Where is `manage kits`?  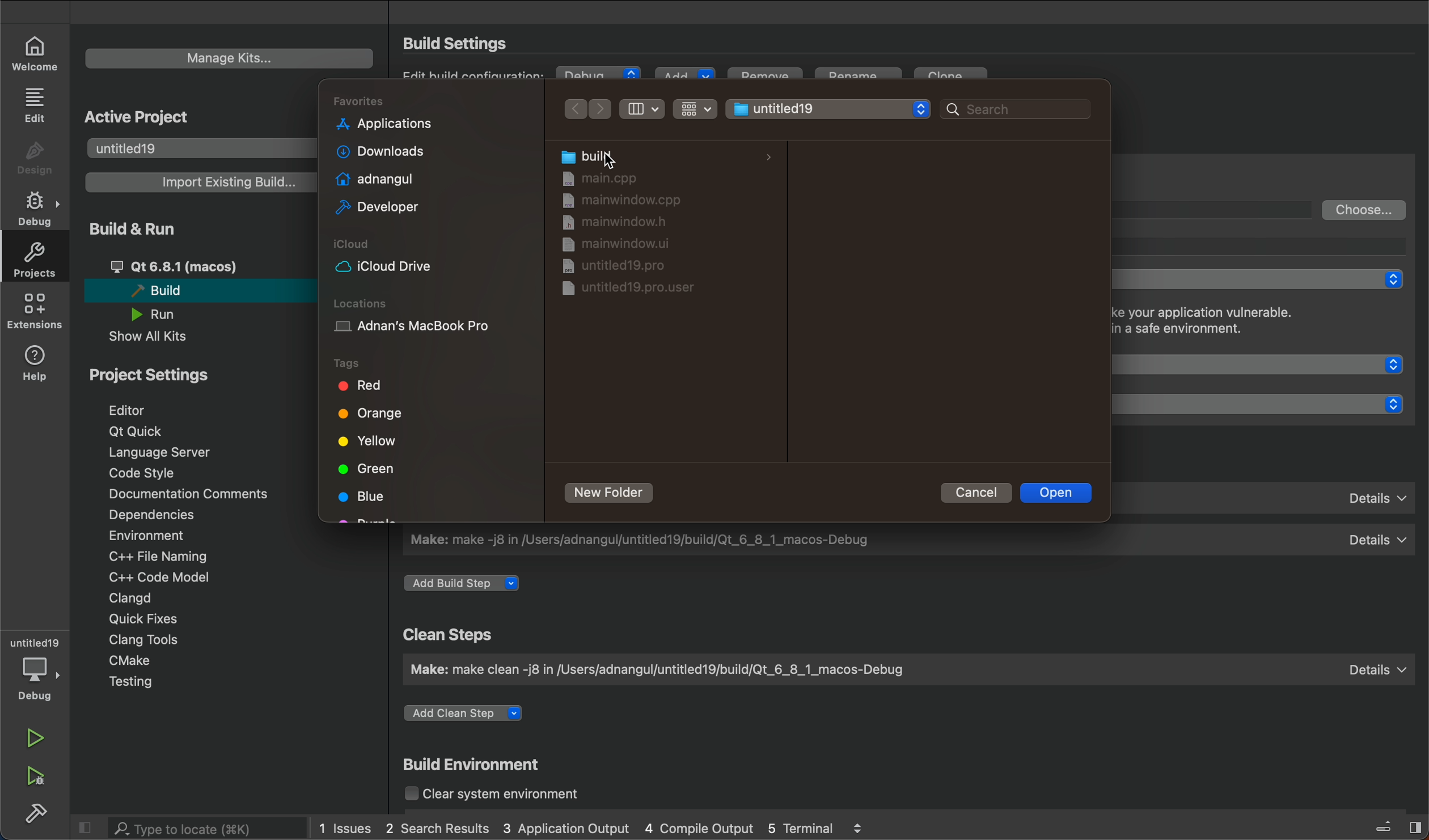 manage kits is located at coordinates (230, 58).